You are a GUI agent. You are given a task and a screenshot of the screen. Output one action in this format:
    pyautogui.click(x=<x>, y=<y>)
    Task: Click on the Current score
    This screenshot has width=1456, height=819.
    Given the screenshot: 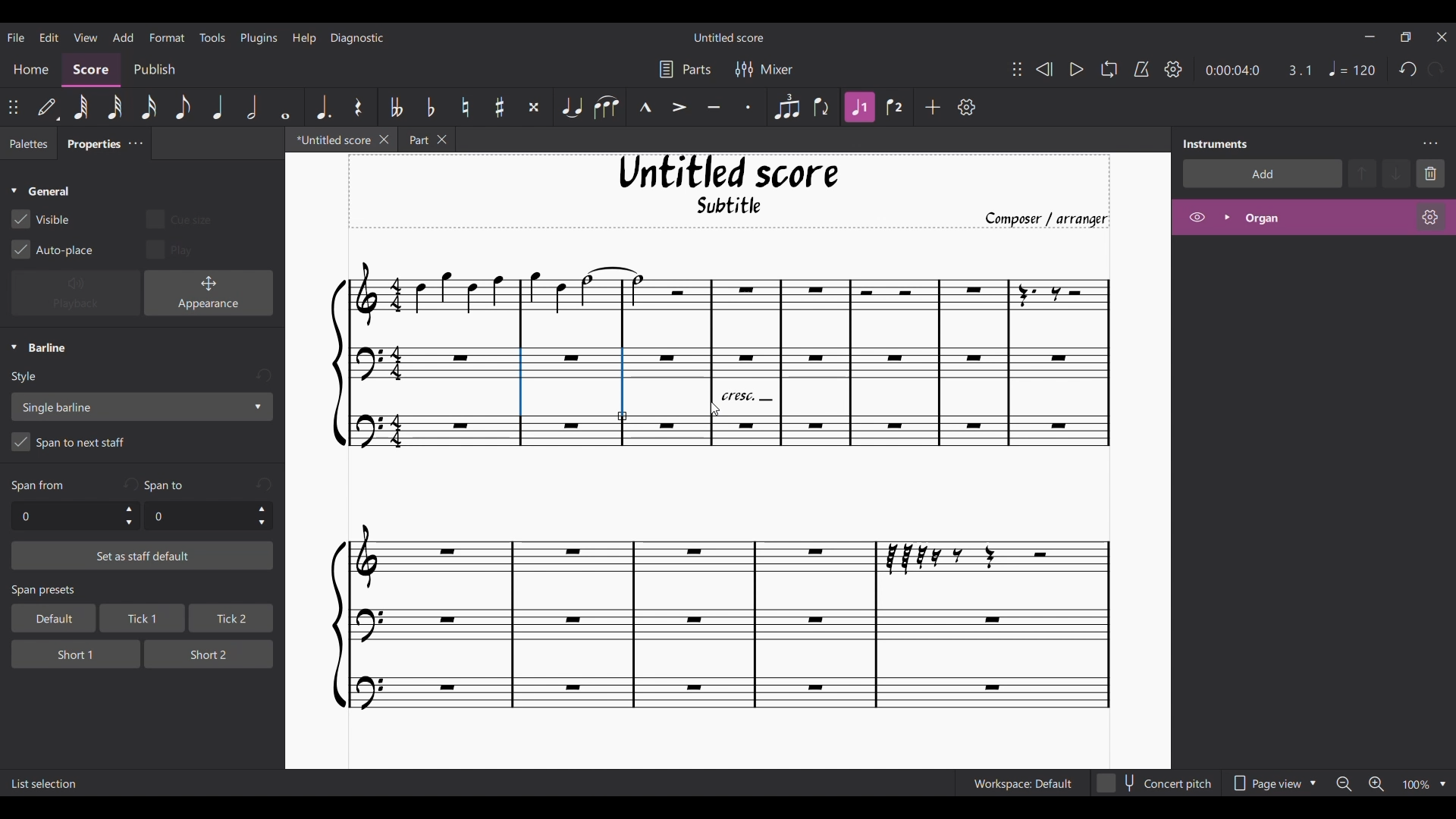 What is the action you would take?
    pyautogui.click(x=712, y=591)
    